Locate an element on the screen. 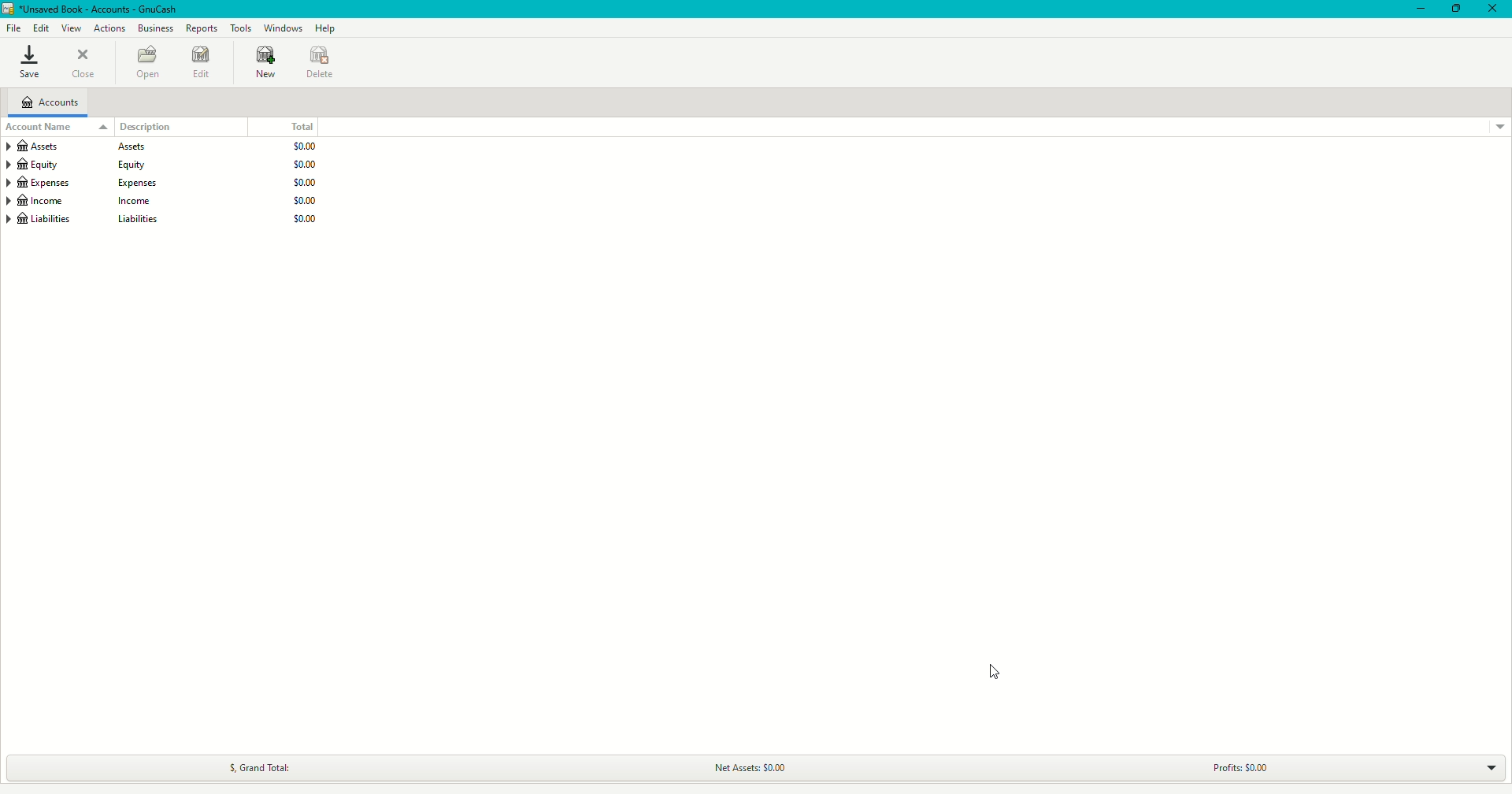 This screenshot has height=794, width=1512. Minimize is located at coordinates (1417, 10).